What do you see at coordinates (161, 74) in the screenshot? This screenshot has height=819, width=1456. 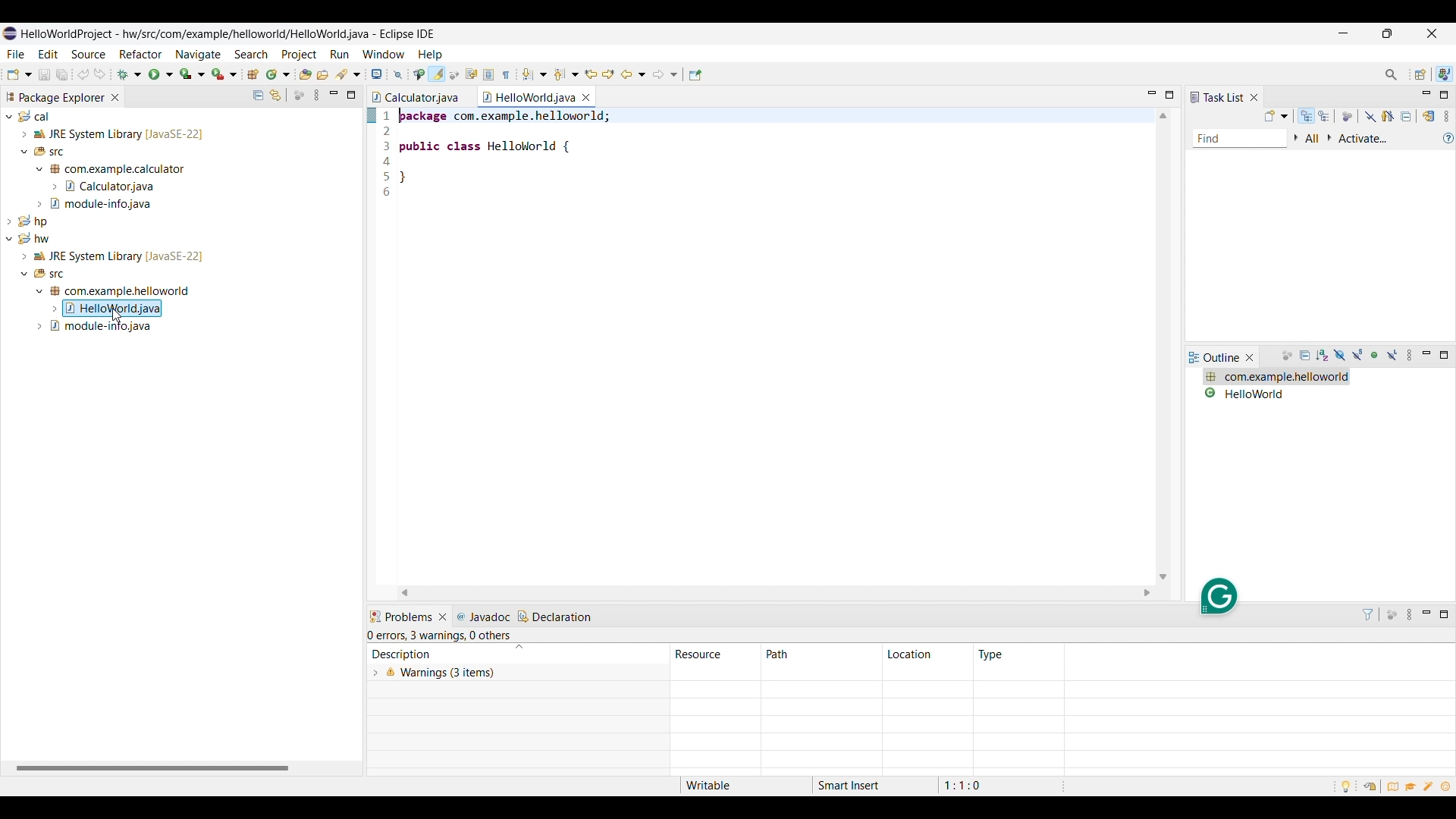 I see `Run options` at bounding box center [161, 74].